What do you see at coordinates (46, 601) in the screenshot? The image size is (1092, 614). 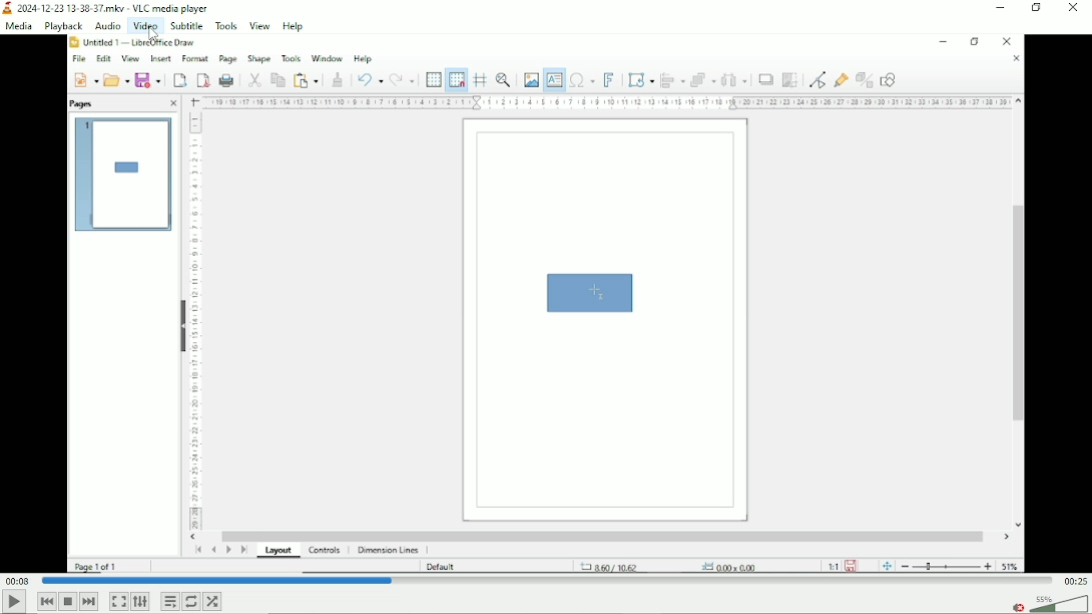 I see `Previous` at bounding box center [46, 601].